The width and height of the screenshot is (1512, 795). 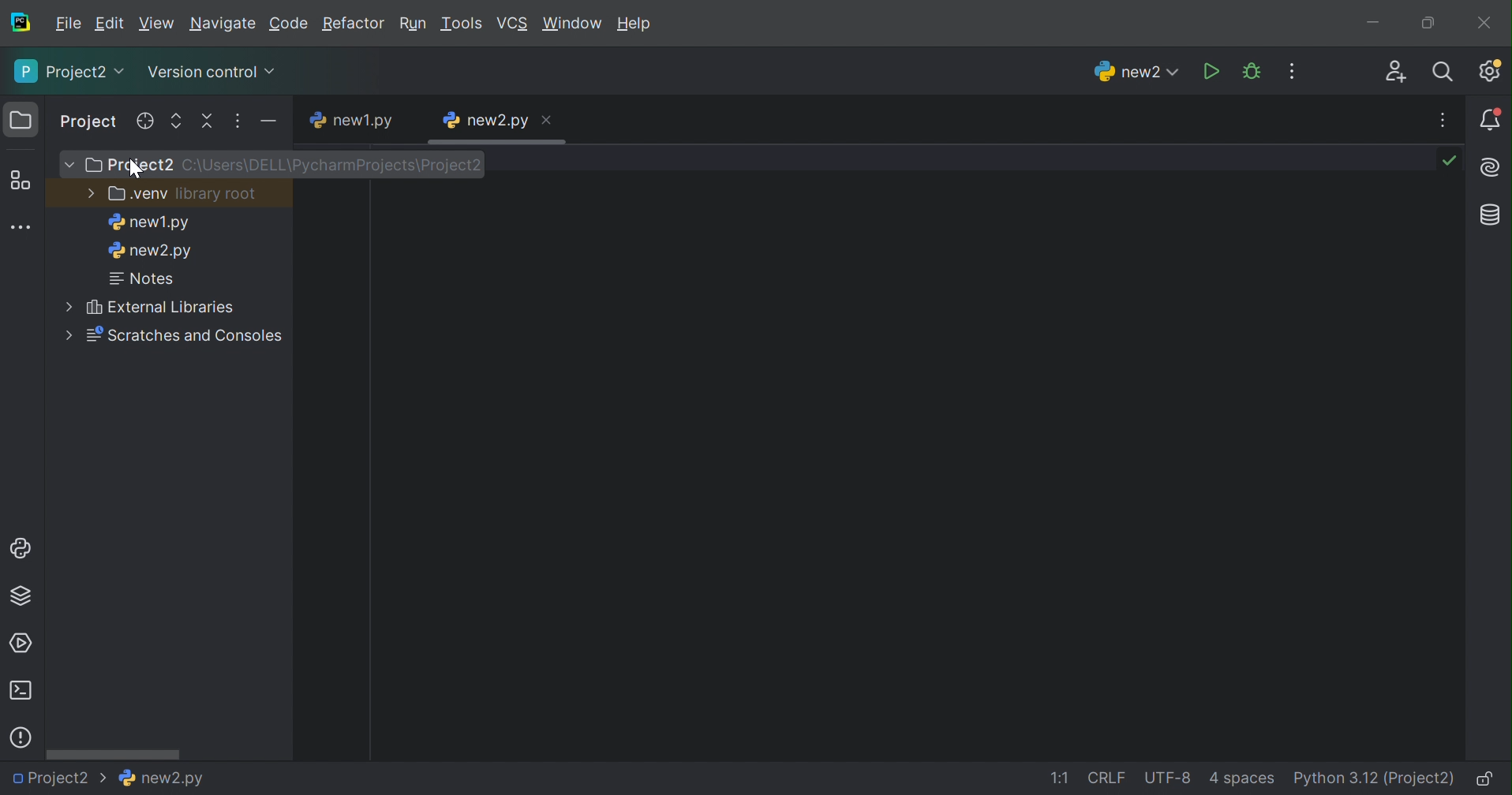 What do you see at coordinates (21, 181) in the screenshot?
I see `Structure` at bounding box center [21, 181].